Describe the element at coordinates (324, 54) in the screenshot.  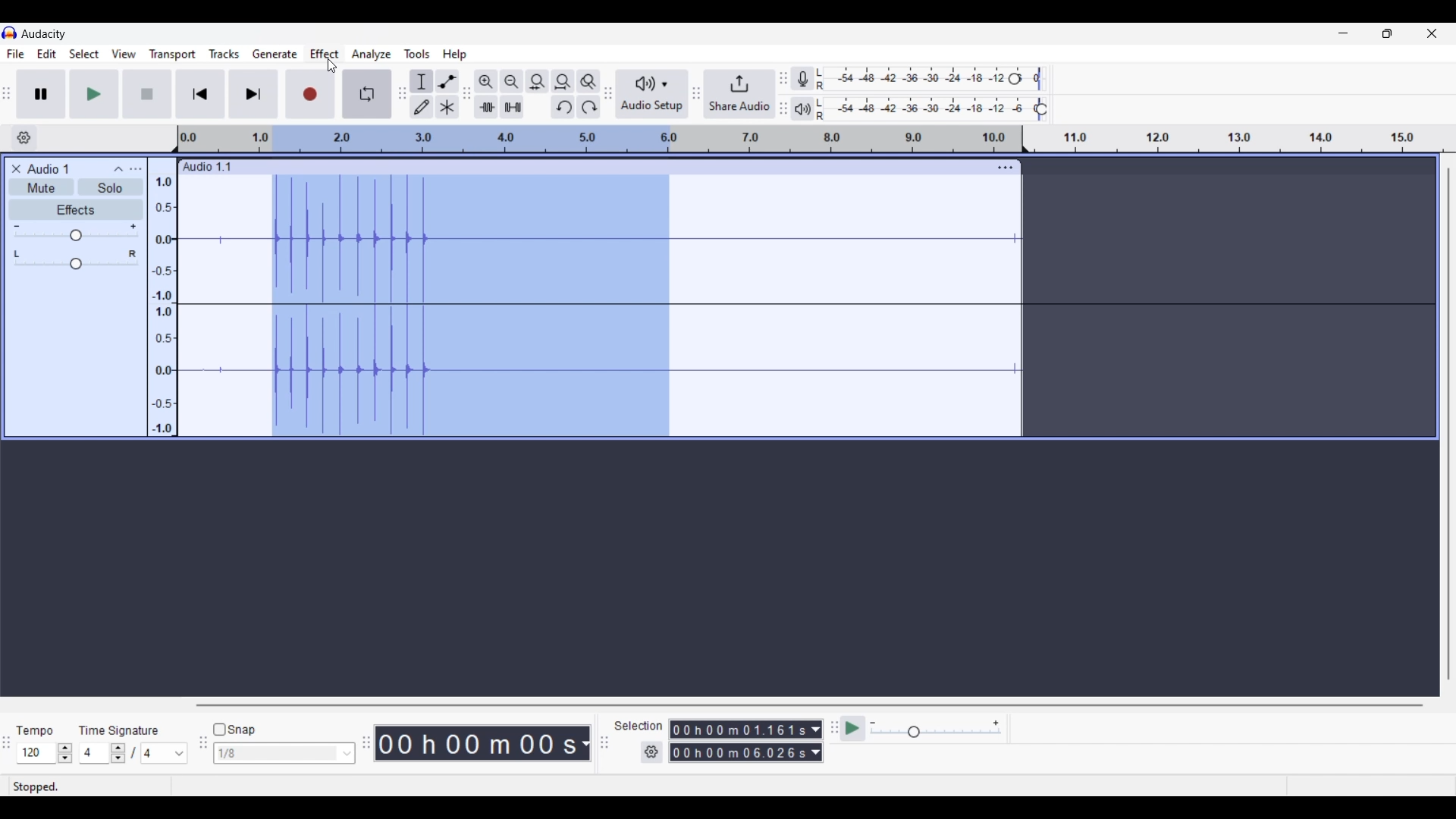
I see `Effect menu` at that location.